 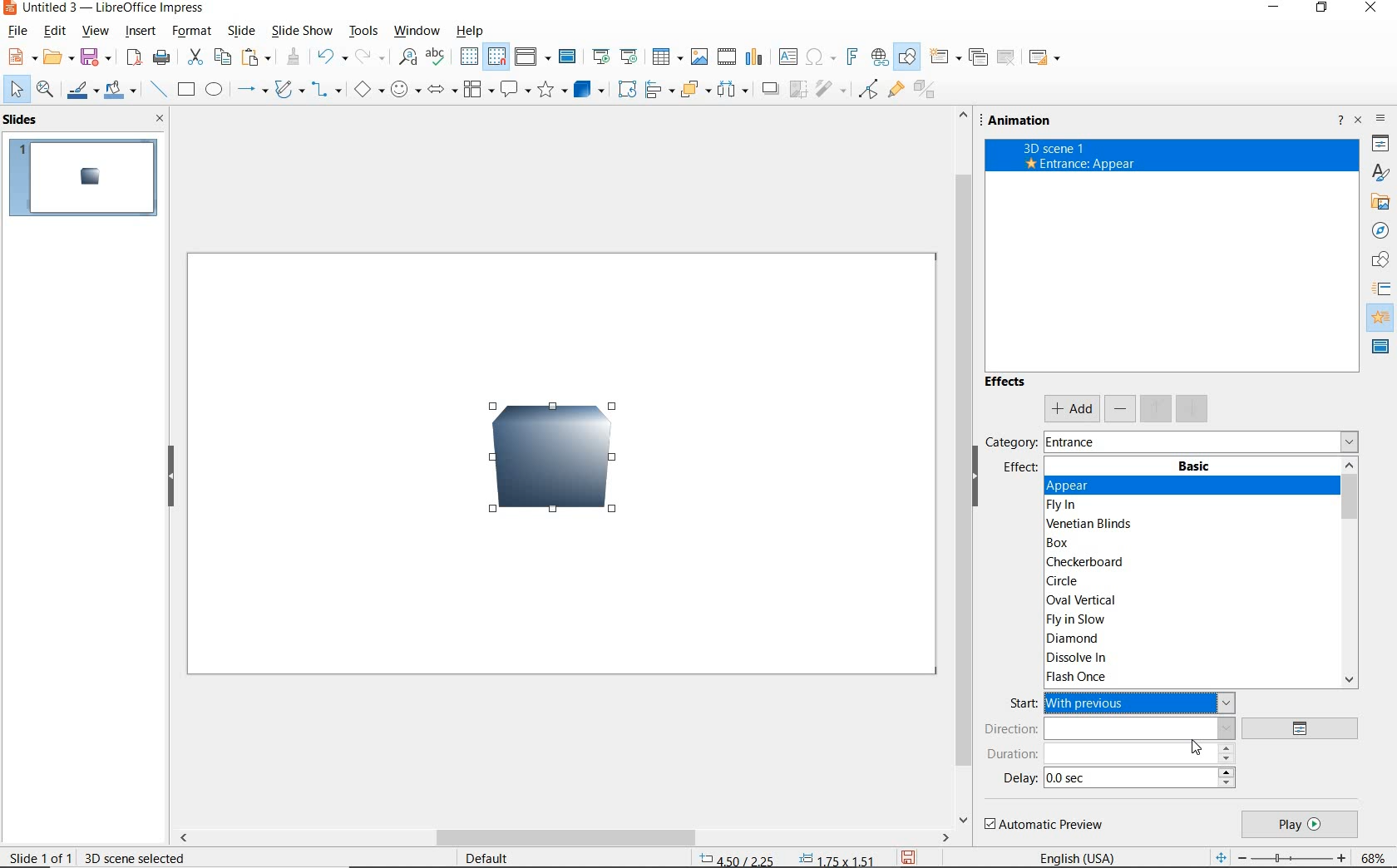 I want to click on paste, so click(x=257, y=56).